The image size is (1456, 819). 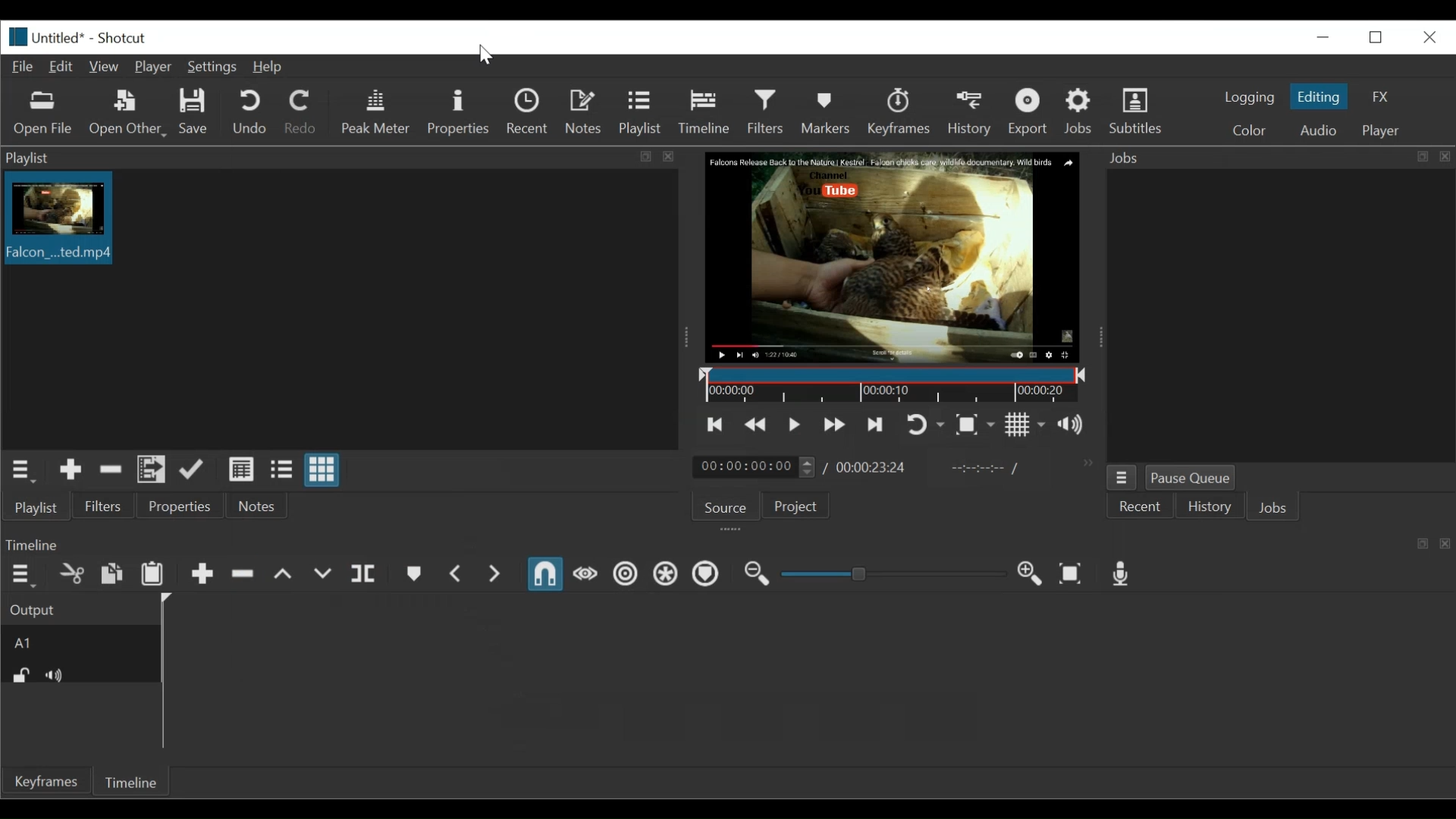 I want to click on Keyframe, so click(x=899, y=113).